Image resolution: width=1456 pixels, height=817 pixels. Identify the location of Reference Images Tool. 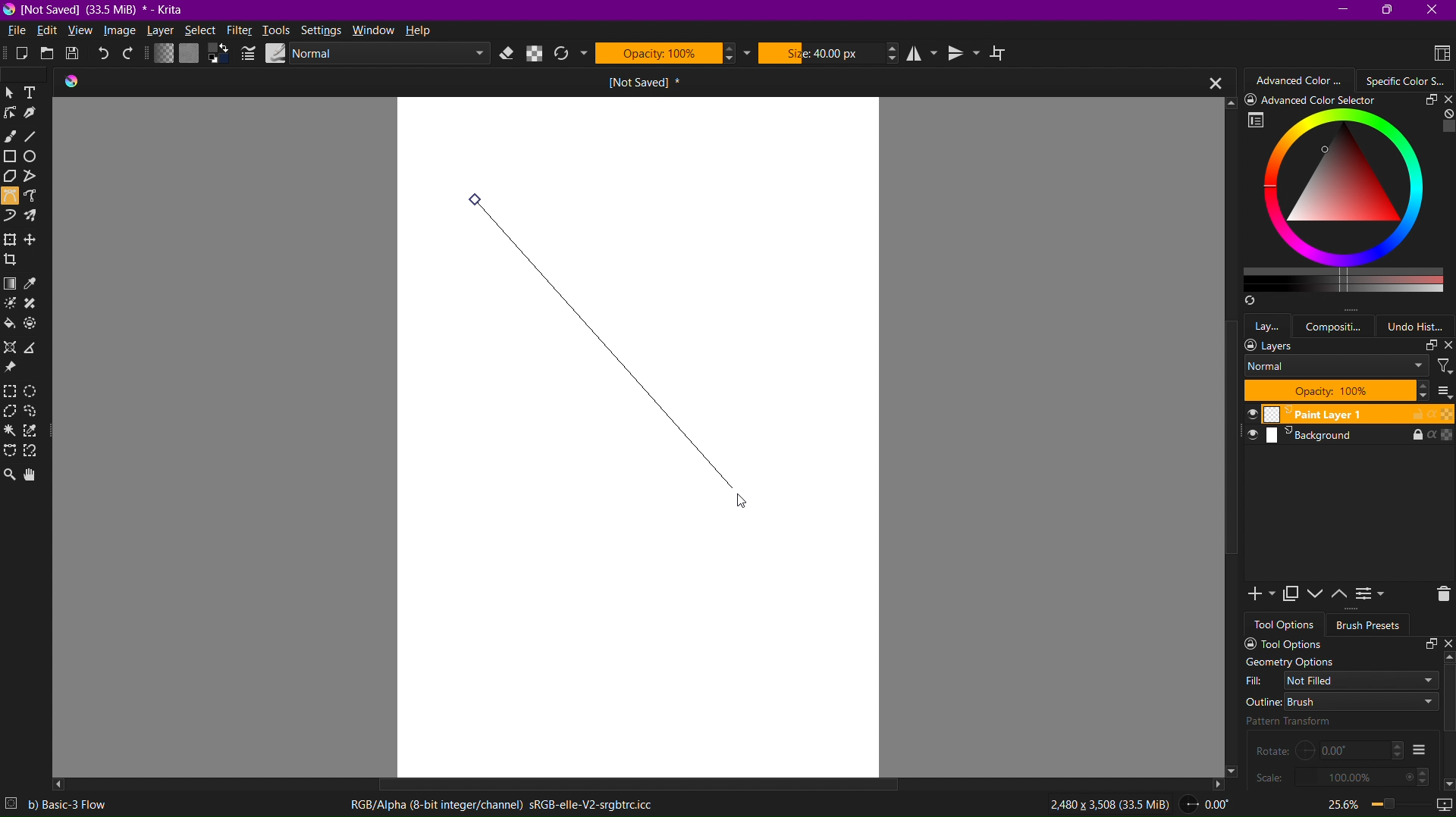
(13, 369).